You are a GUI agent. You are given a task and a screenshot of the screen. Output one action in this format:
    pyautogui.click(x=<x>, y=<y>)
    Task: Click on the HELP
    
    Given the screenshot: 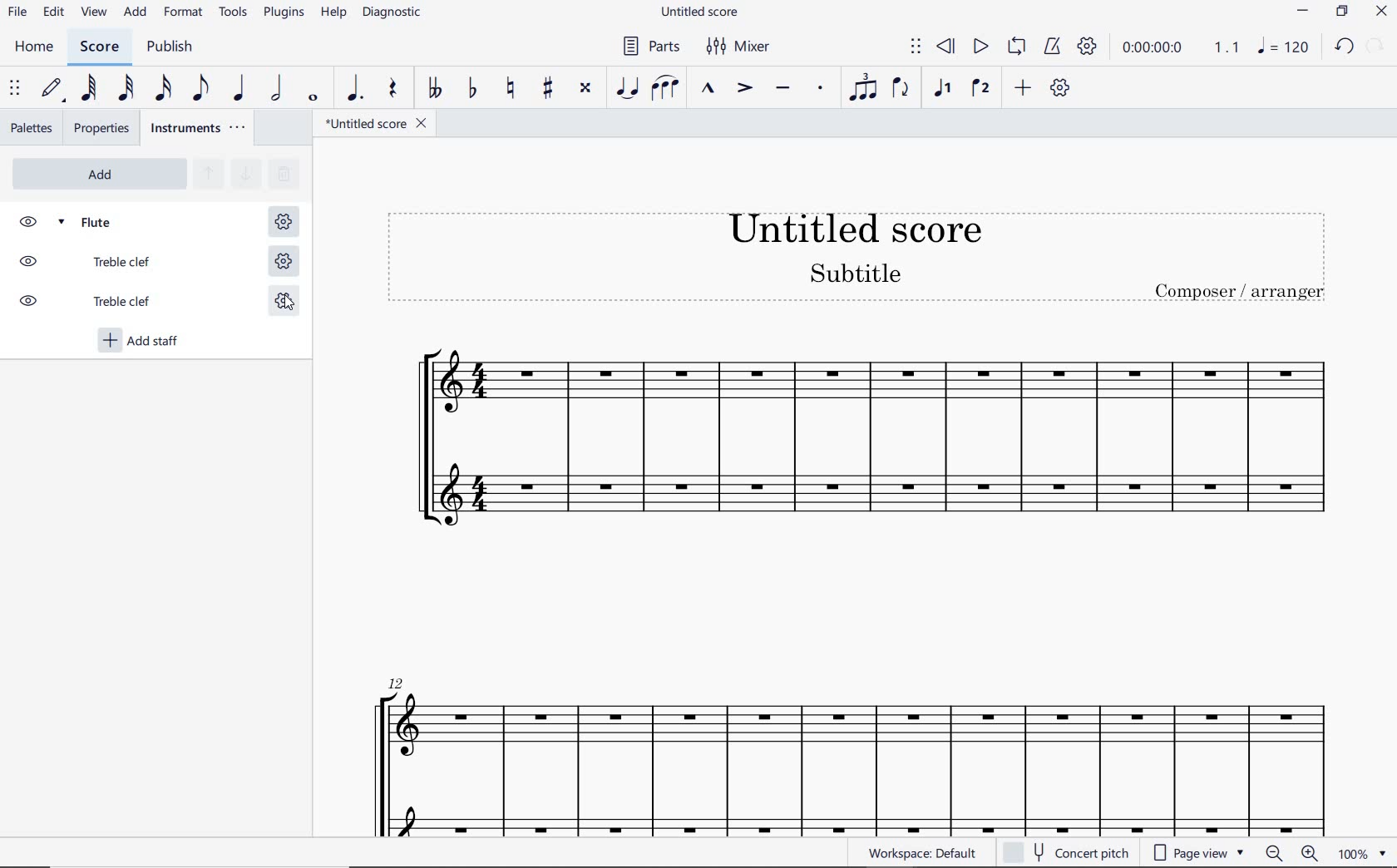 What is the action you would take?
    pyautogui.click(x=334, y=15)
    